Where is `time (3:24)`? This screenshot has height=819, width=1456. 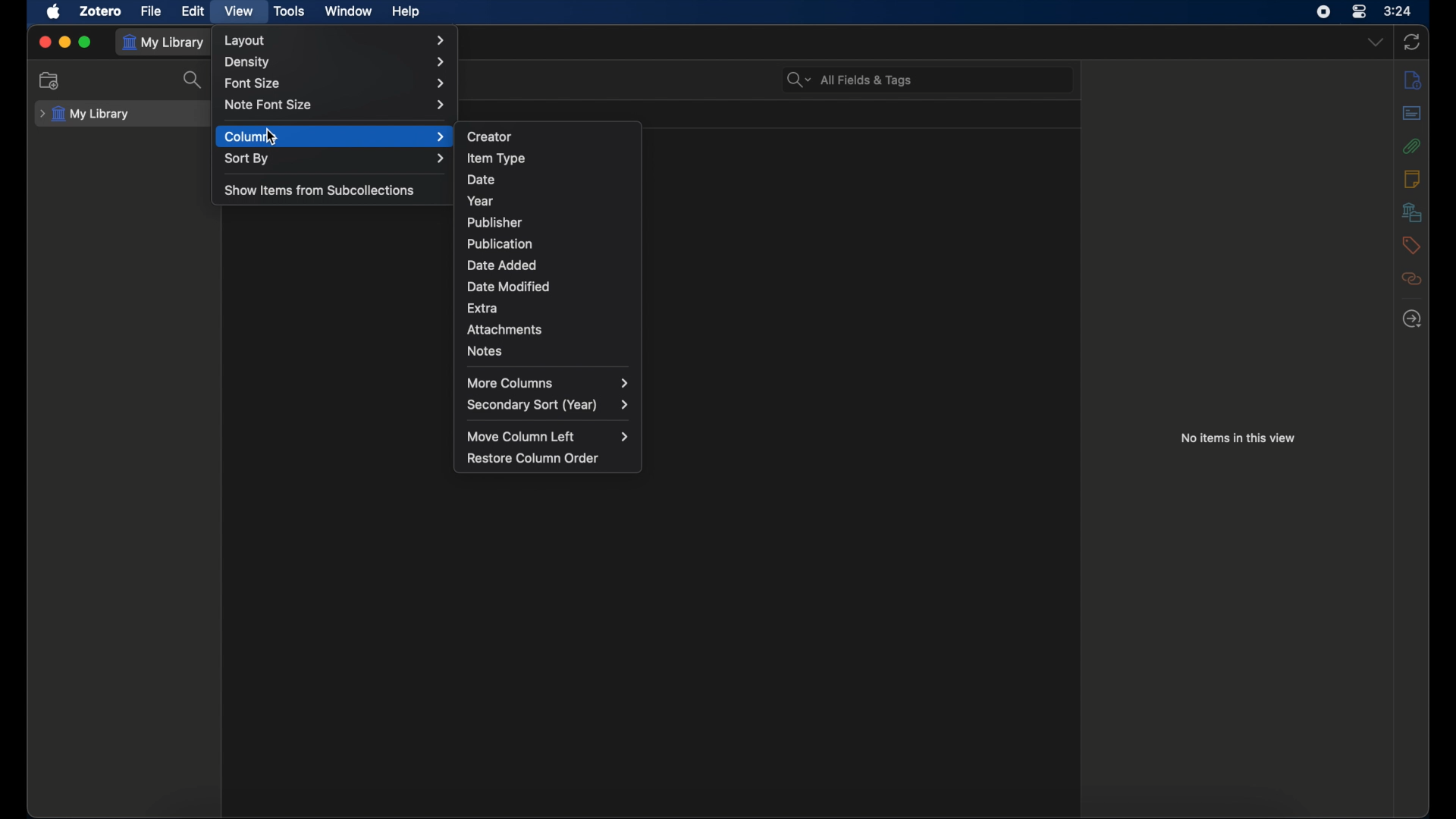
time (3:24) is located at coordinates (1398, 10).